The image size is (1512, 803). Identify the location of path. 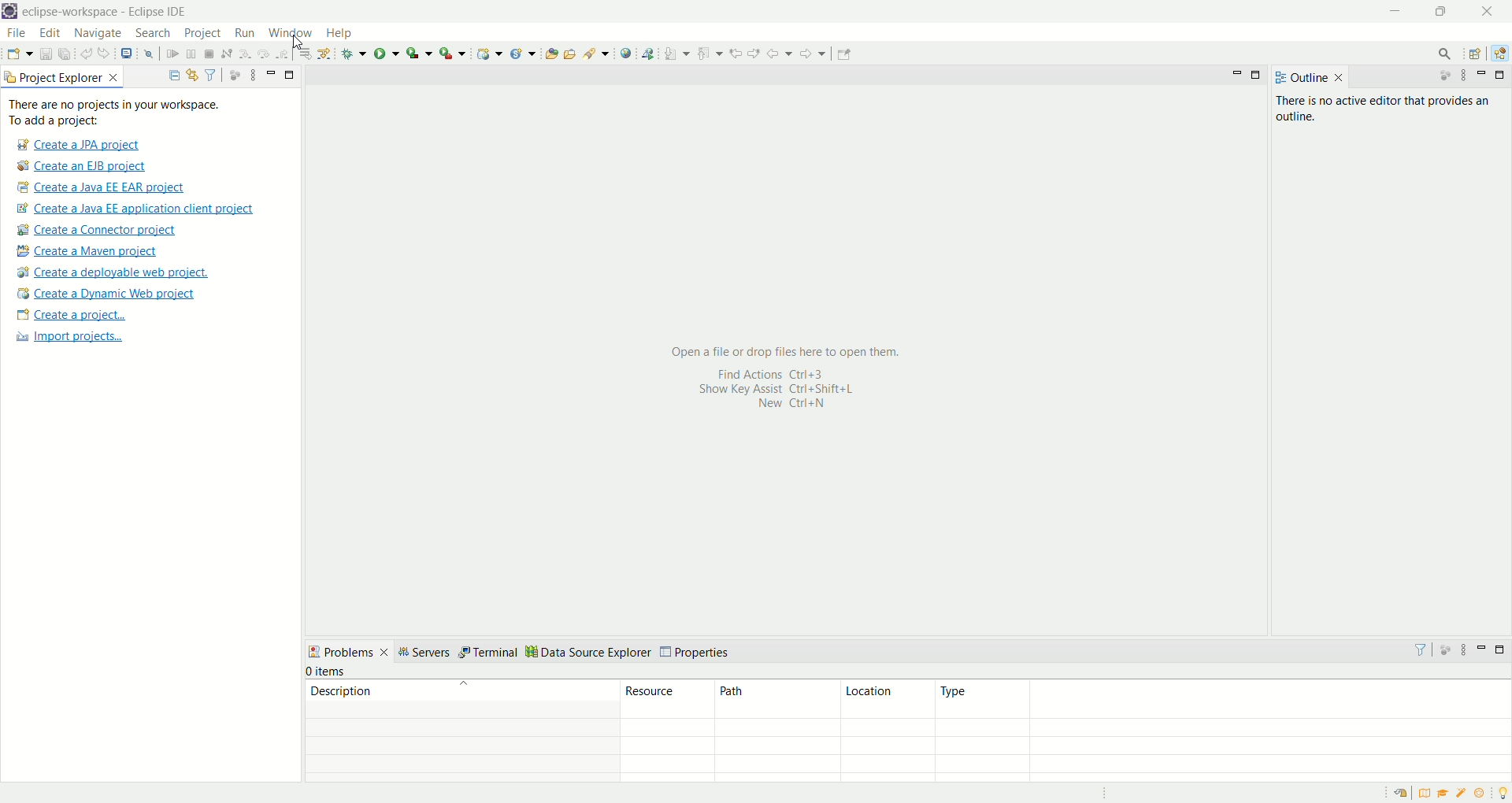
(777, 698).